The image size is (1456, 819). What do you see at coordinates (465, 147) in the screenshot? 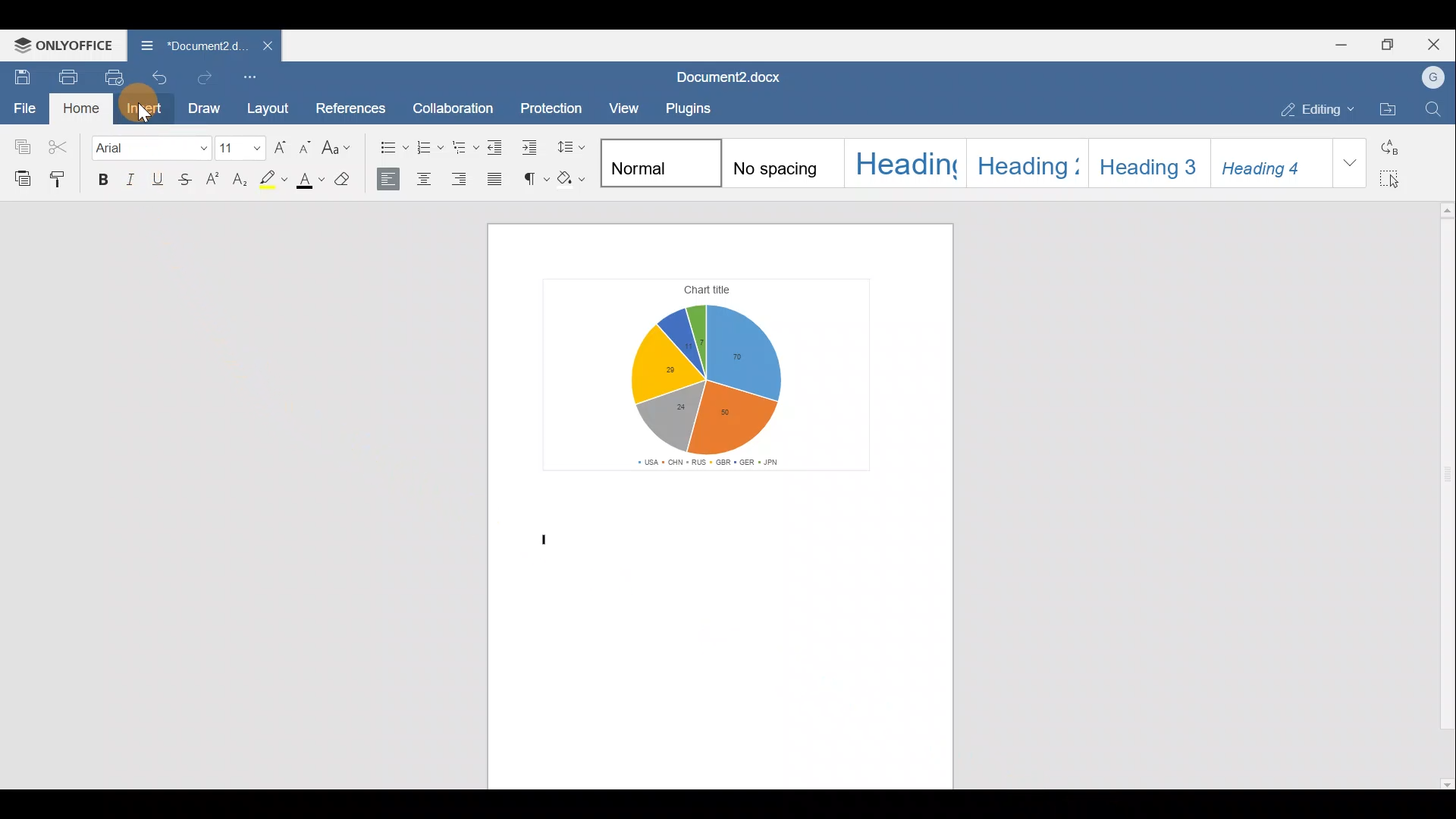
I see `Multilevel list` at bounding box center [465, 147].